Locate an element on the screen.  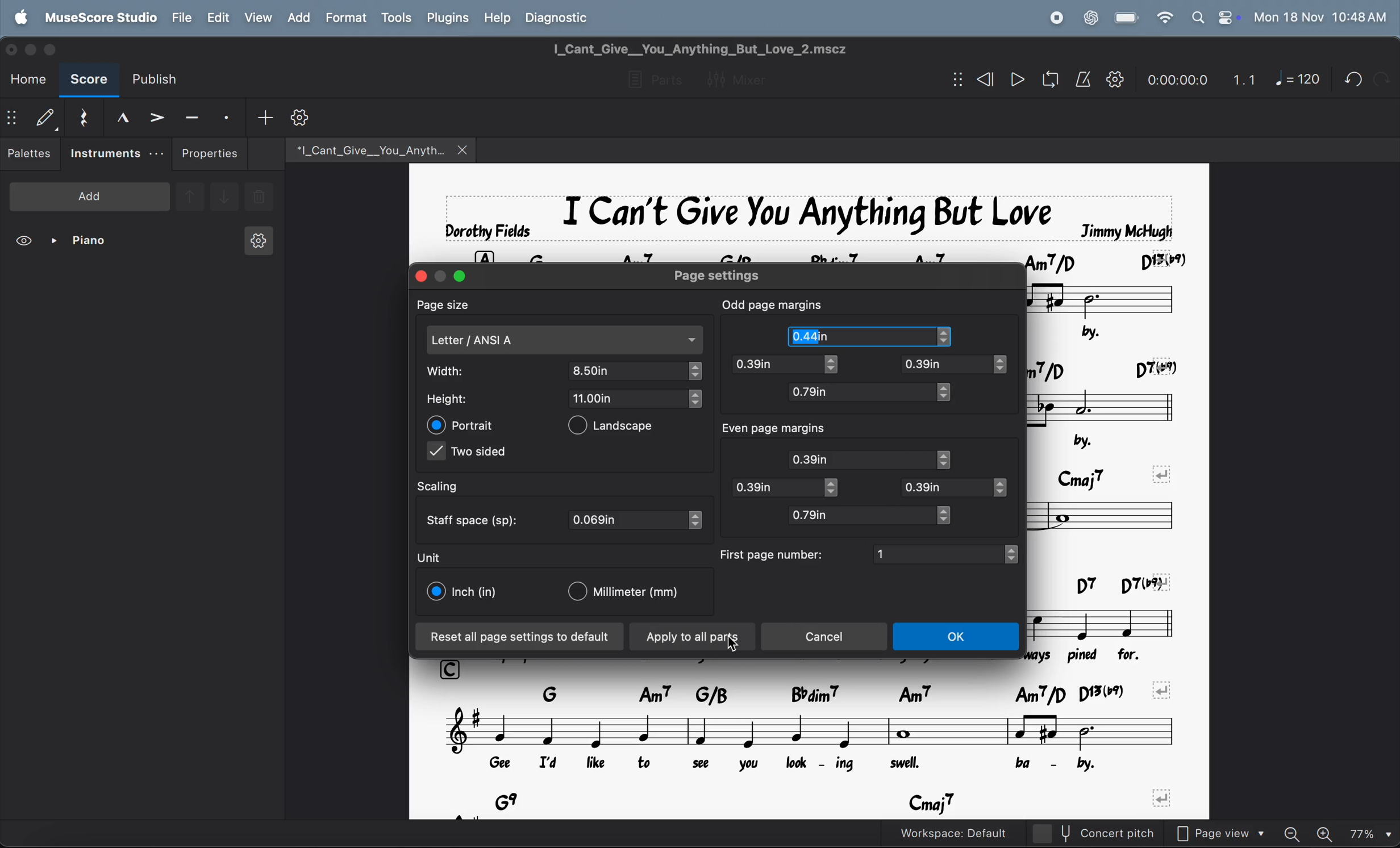
rewind is located at coordinates (983, 80).